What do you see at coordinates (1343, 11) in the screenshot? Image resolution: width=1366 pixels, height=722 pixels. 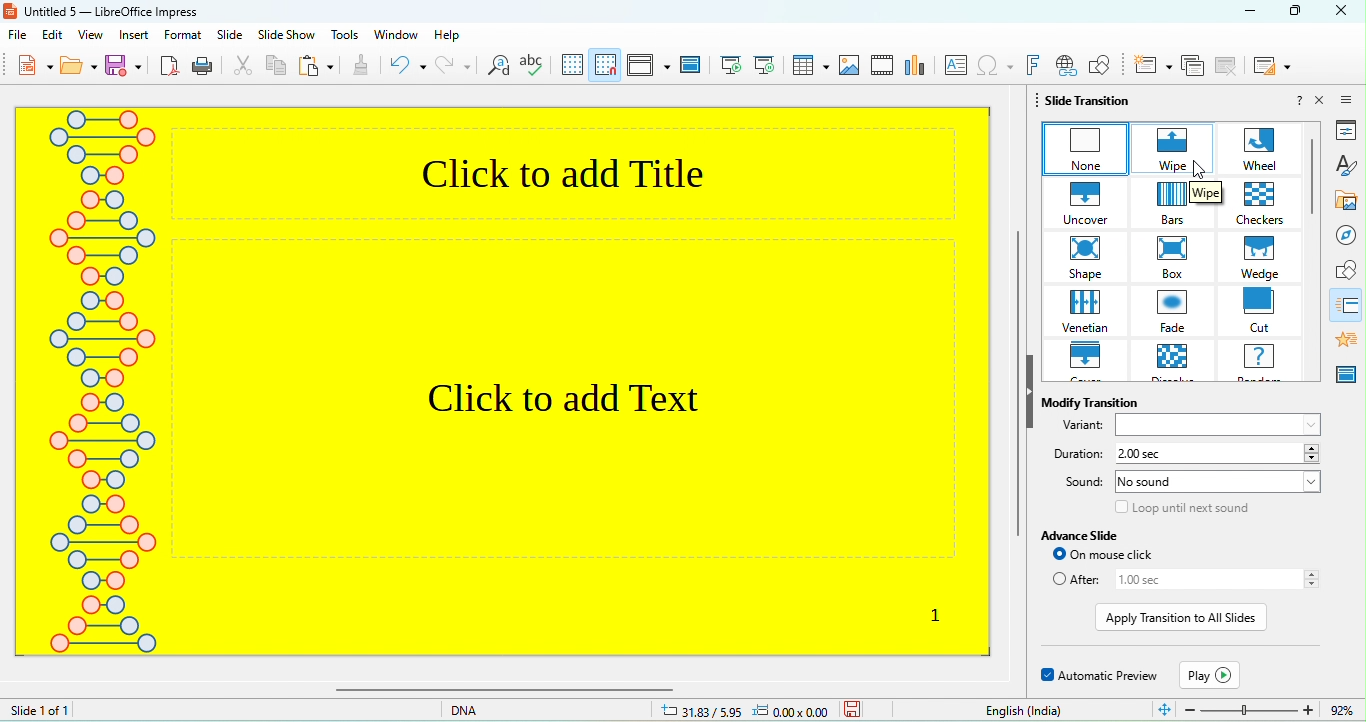 I see `close` at bounding box center [1343, 11].